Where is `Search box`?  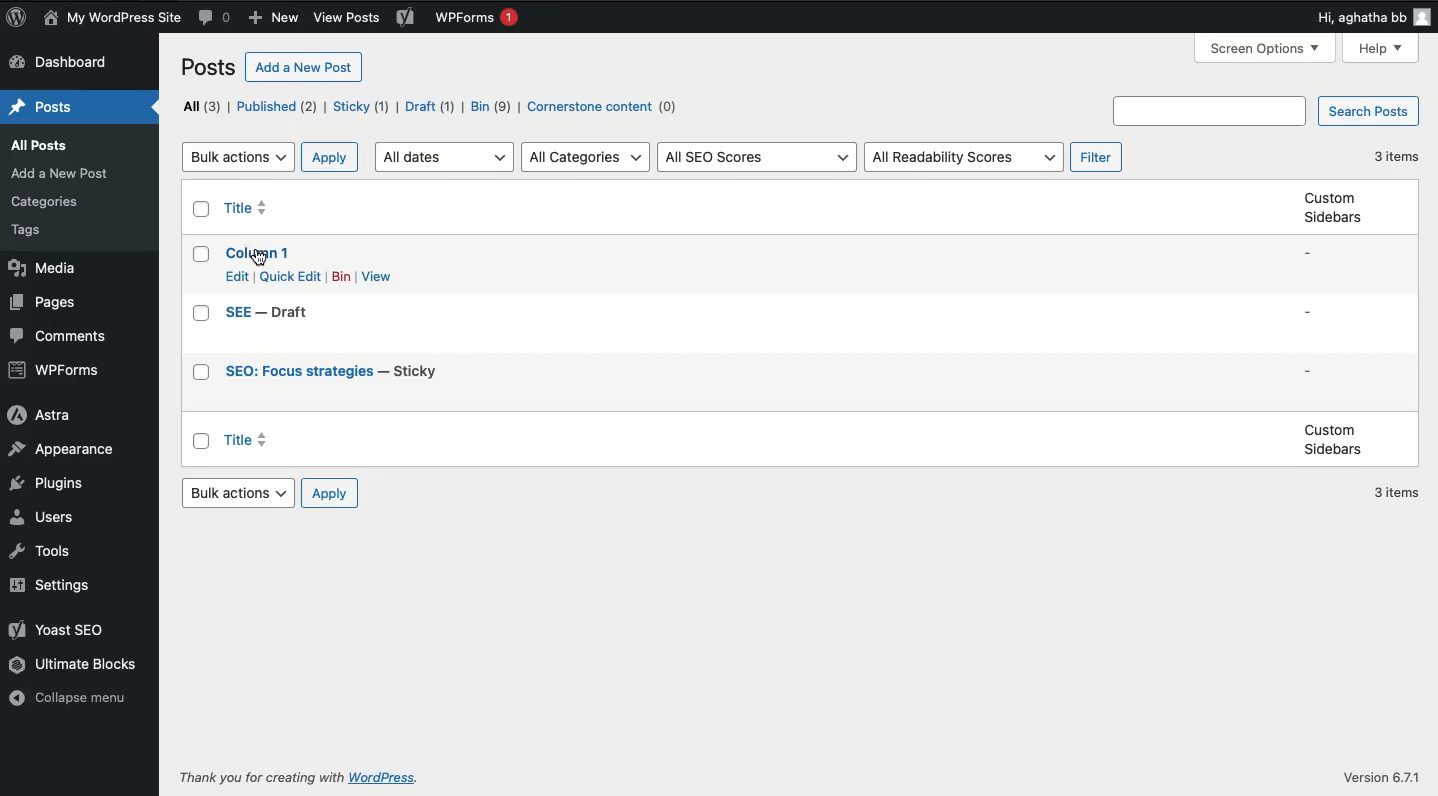 Search box is located at coordinates (1210, 111).